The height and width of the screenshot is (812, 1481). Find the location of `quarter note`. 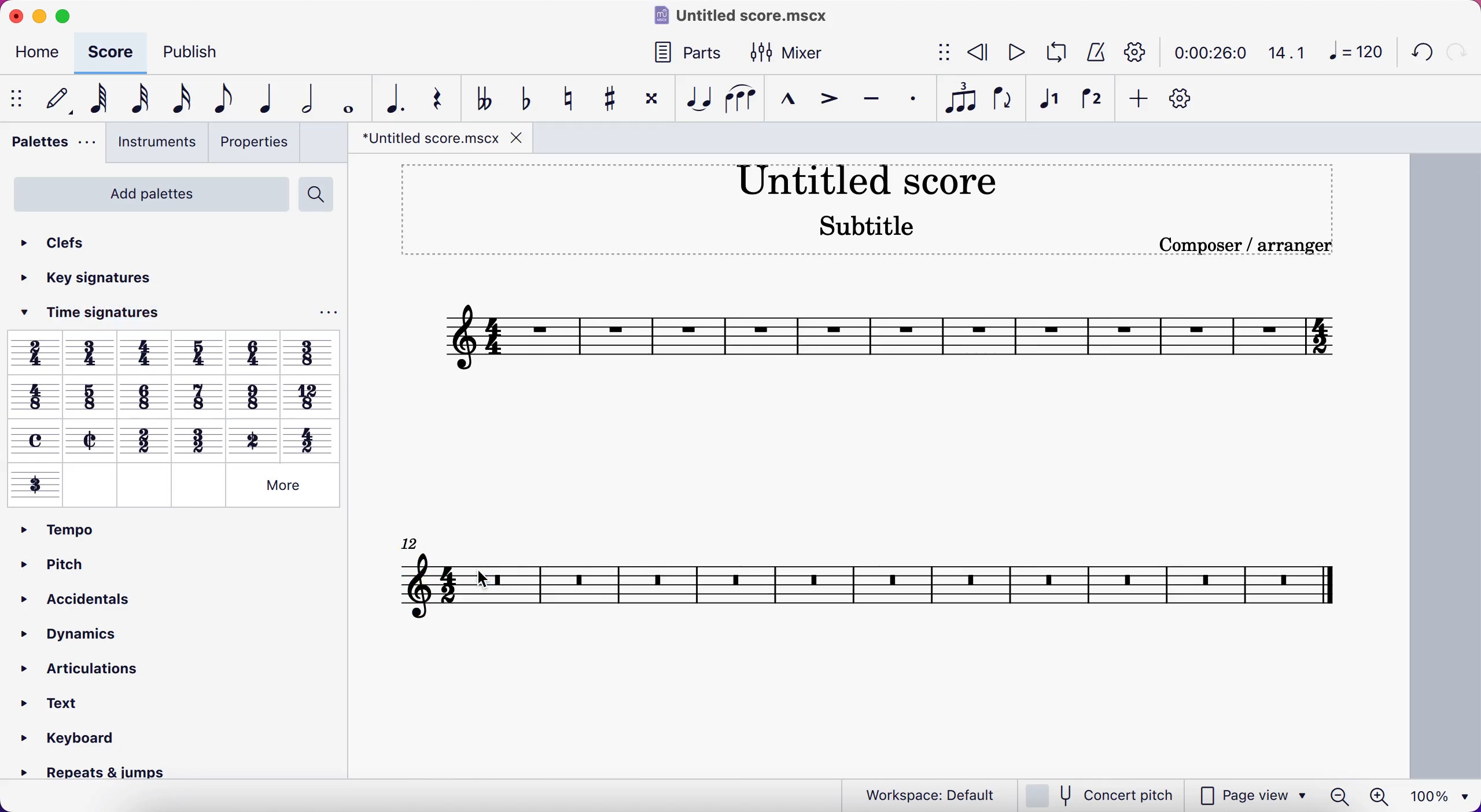

quarter note is located at coordinates (261, 98).